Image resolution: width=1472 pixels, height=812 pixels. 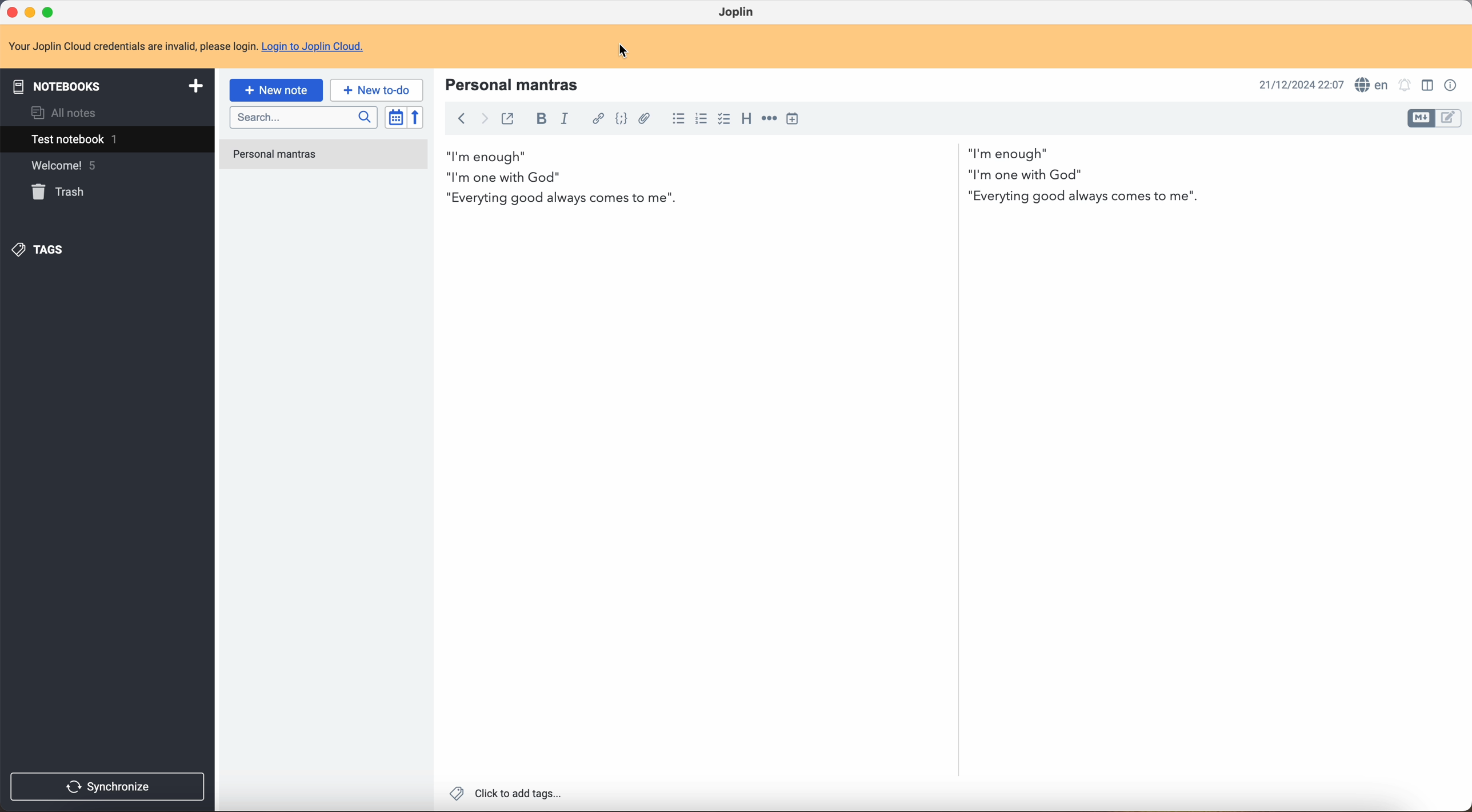 What do you see at coordinates (739, 11) in the screenshot?
I see `Joplin` at bounding box center [739, 11].